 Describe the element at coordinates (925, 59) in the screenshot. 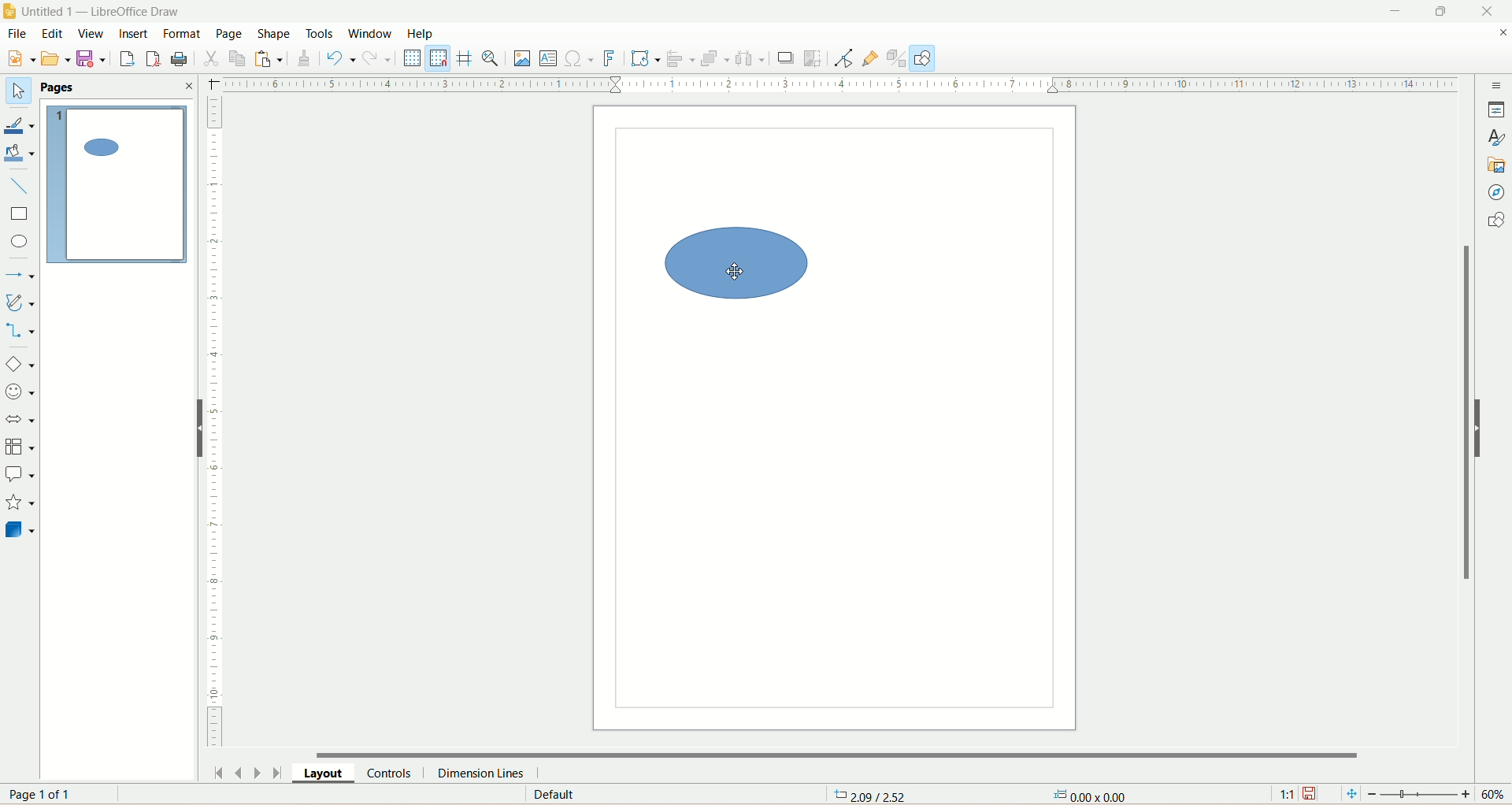

I see `draw function` at that location.